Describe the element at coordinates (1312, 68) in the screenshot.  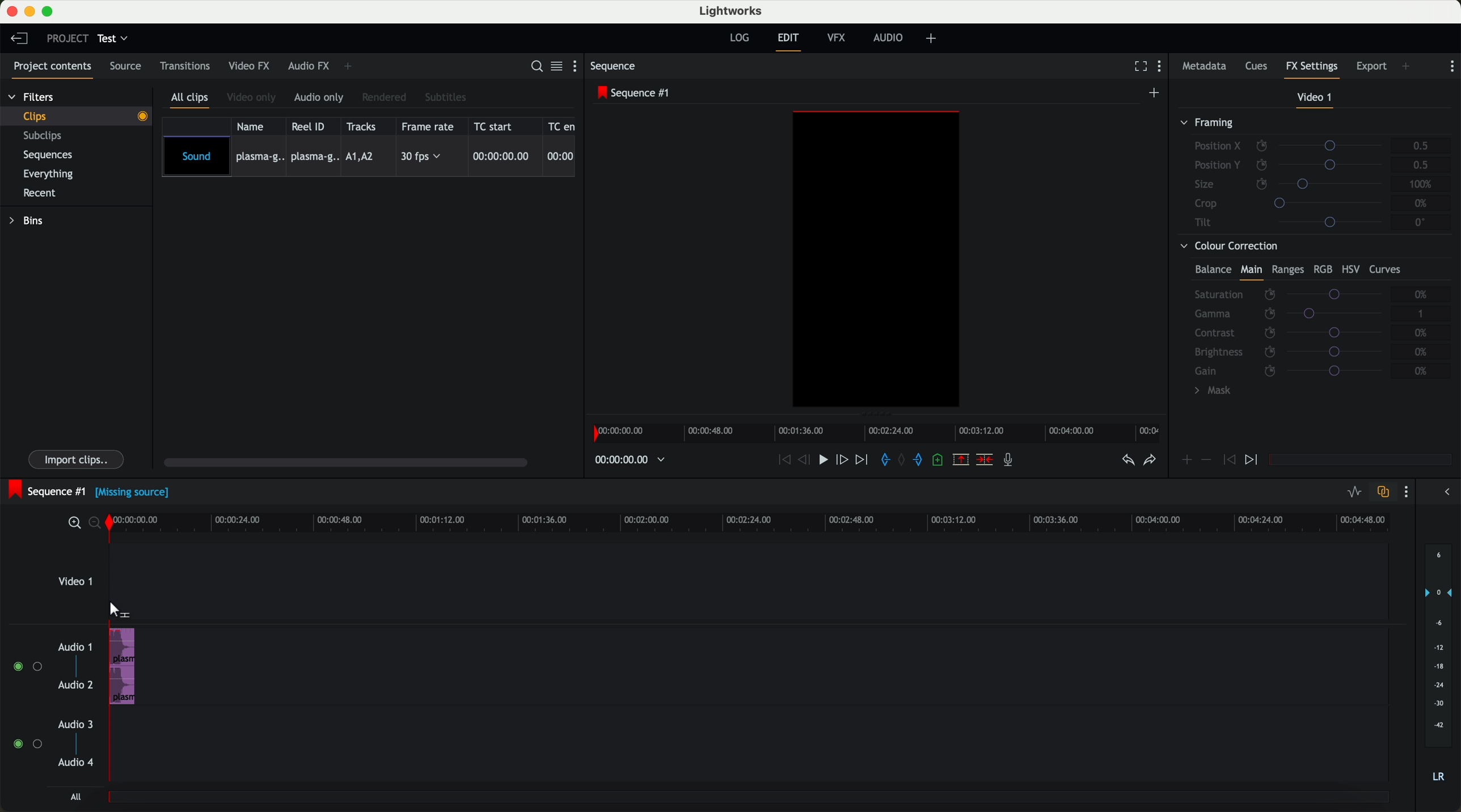
I see `FX settings` at that location.